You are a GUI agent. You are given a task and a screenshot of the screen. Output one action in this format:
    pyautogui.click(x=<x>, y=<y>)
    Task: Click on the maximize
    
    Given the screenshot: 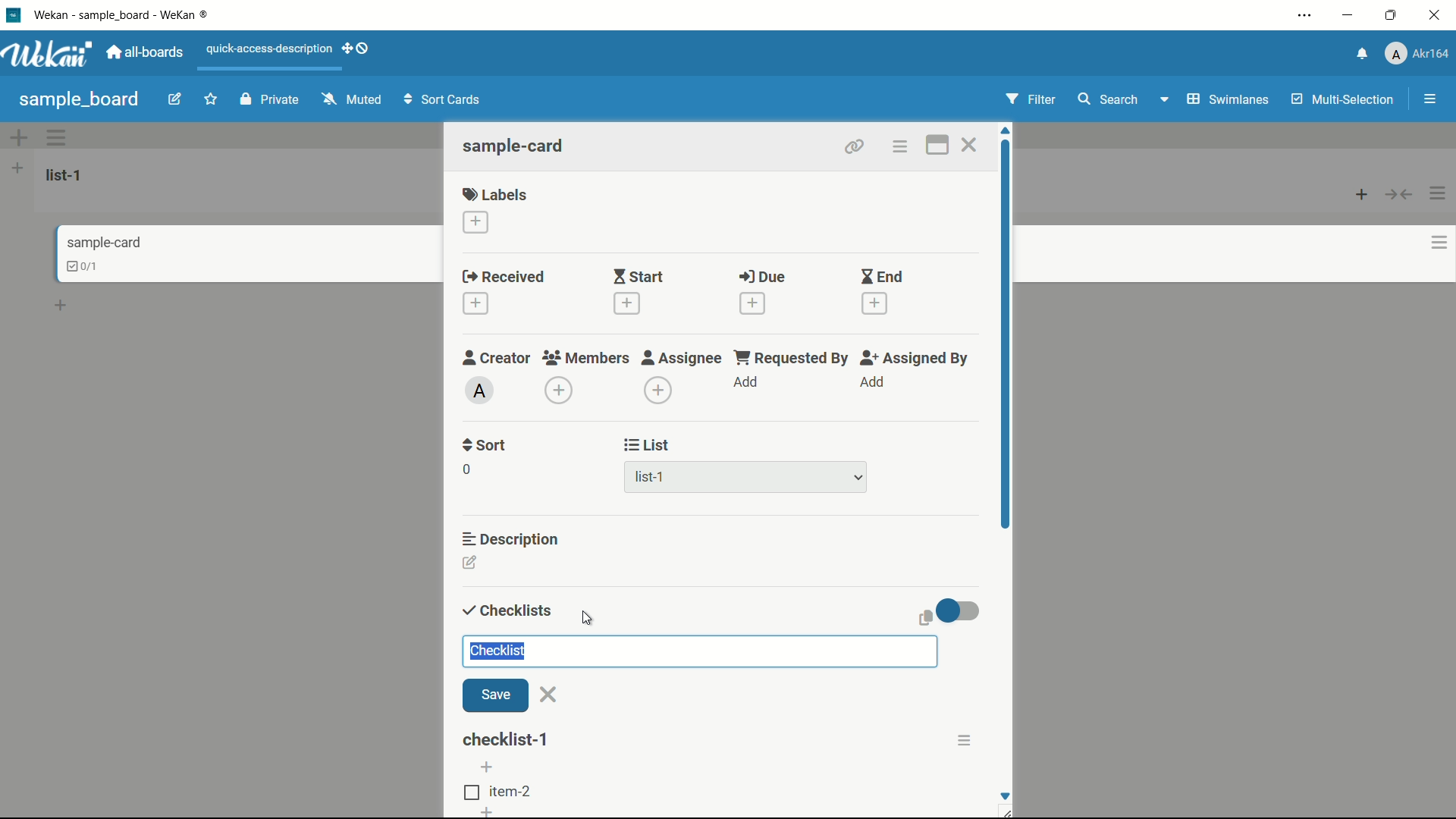 What is the action you would take?
    pyautogui.click(x=1393, y=16)
    